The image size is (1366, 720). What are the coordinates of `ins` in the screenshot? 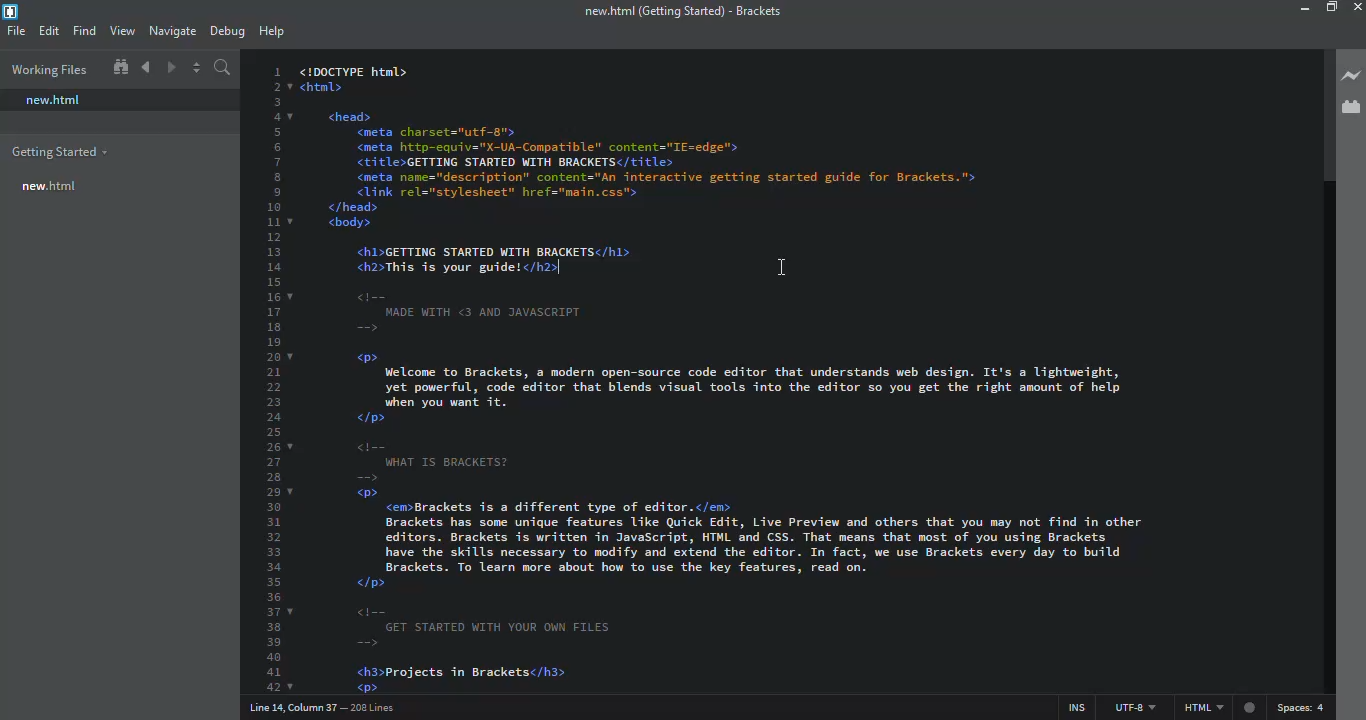 It's located at (1074, 706).